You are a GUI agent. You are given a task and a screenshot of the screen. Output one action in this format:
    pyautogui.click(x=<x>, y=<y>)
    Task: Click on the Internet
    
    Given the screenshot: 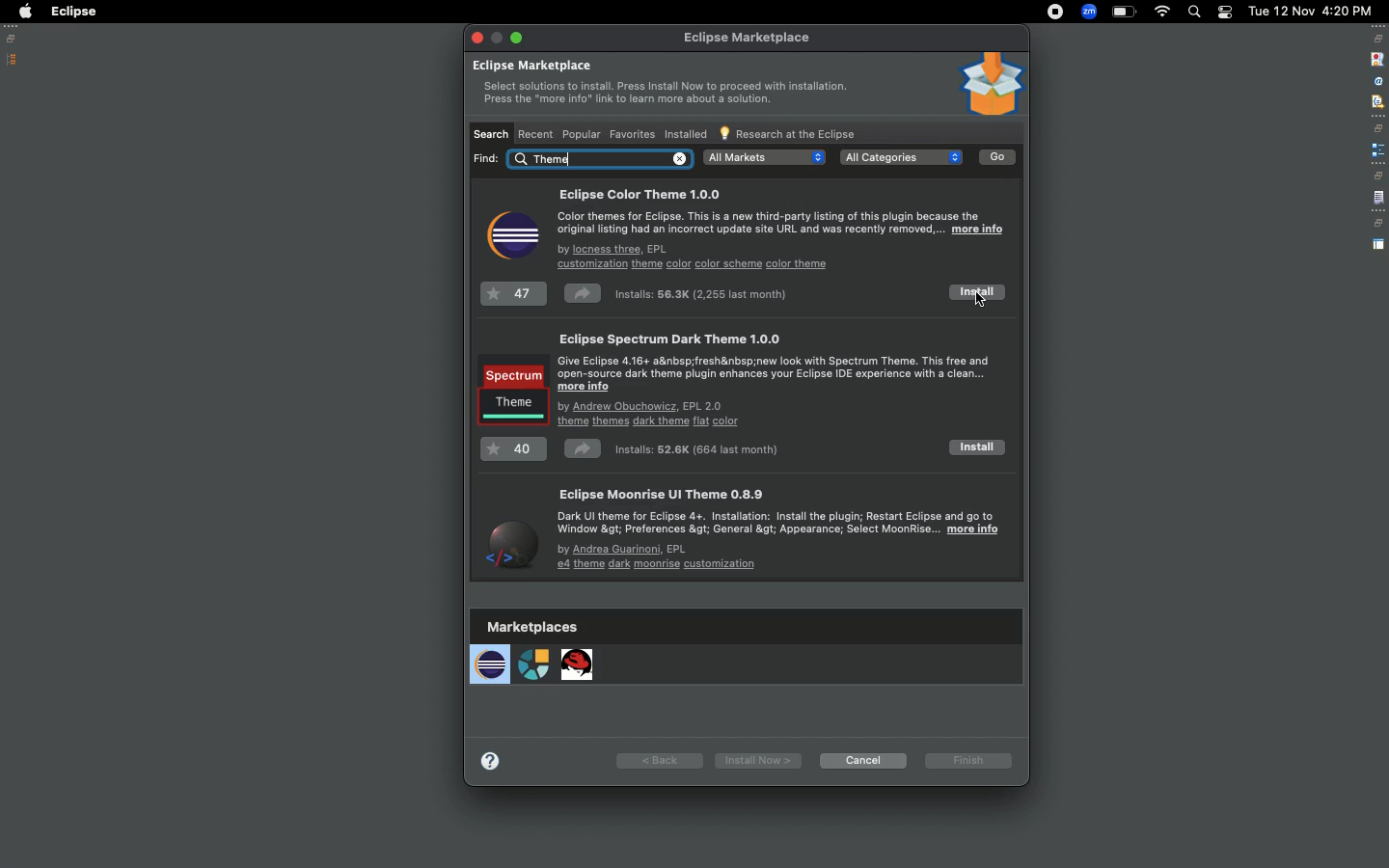 What is the action you would take?
    pyautogui.click(x=1162, y=14)
    